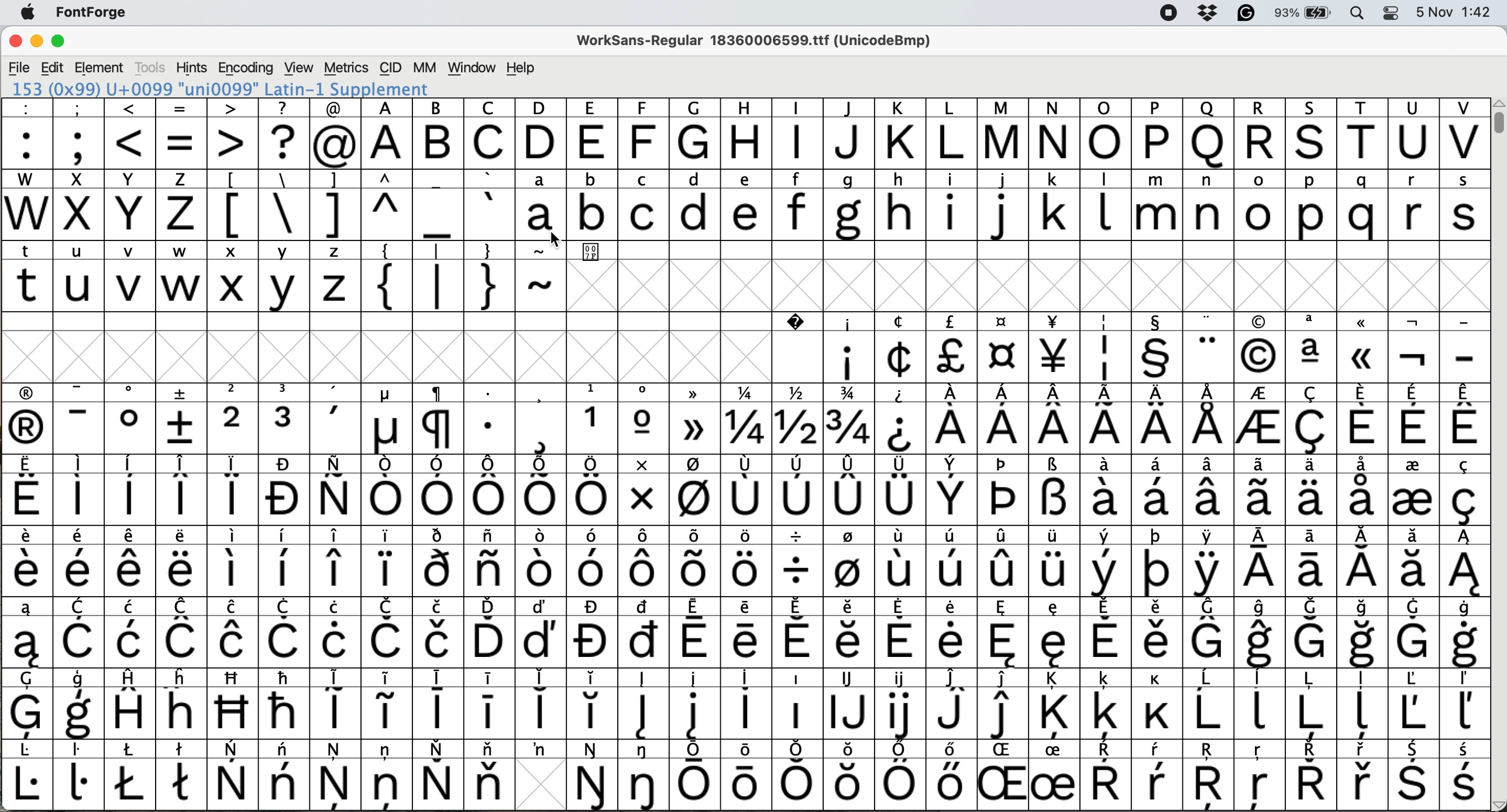 This screenshot has width=1507, height=812. Describe the element at coordinates (800, 774) in the screenshot. I see `symbol` at that location.